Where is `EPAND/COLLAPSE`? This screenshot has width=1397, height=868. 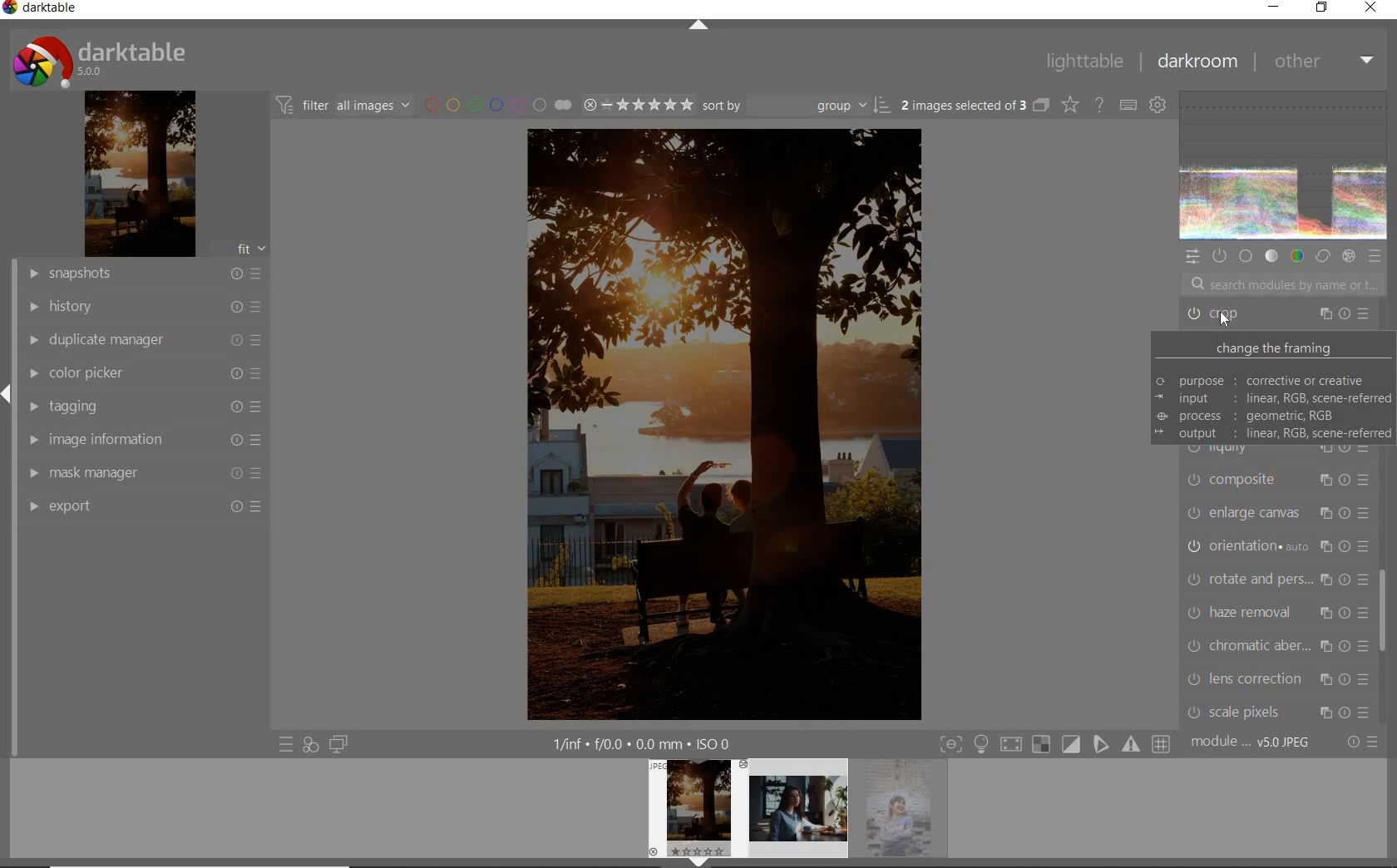 EPAND/COLLAPSE is located at coordinates (698, 862).